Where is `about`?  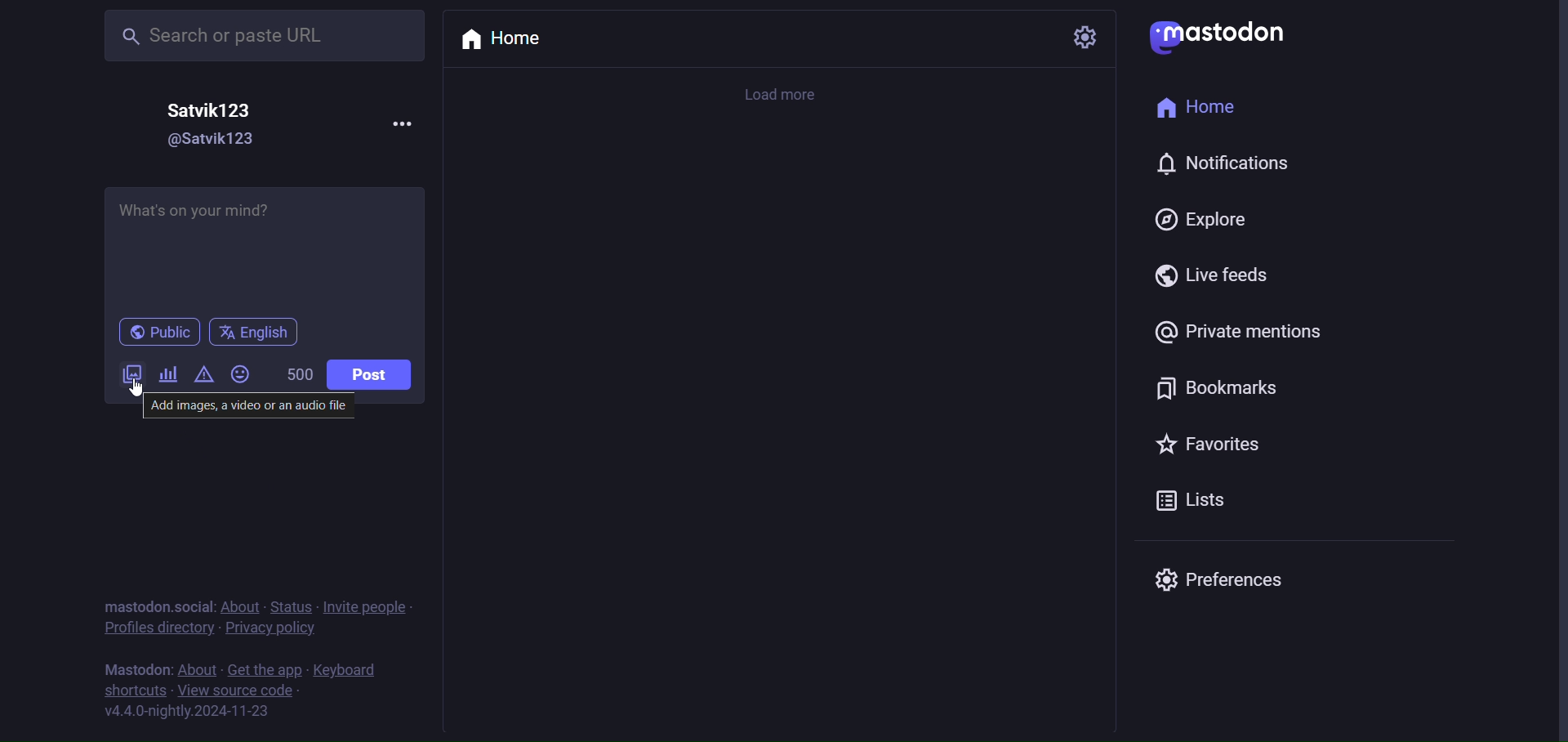
about is located at coordinates (196, 668).